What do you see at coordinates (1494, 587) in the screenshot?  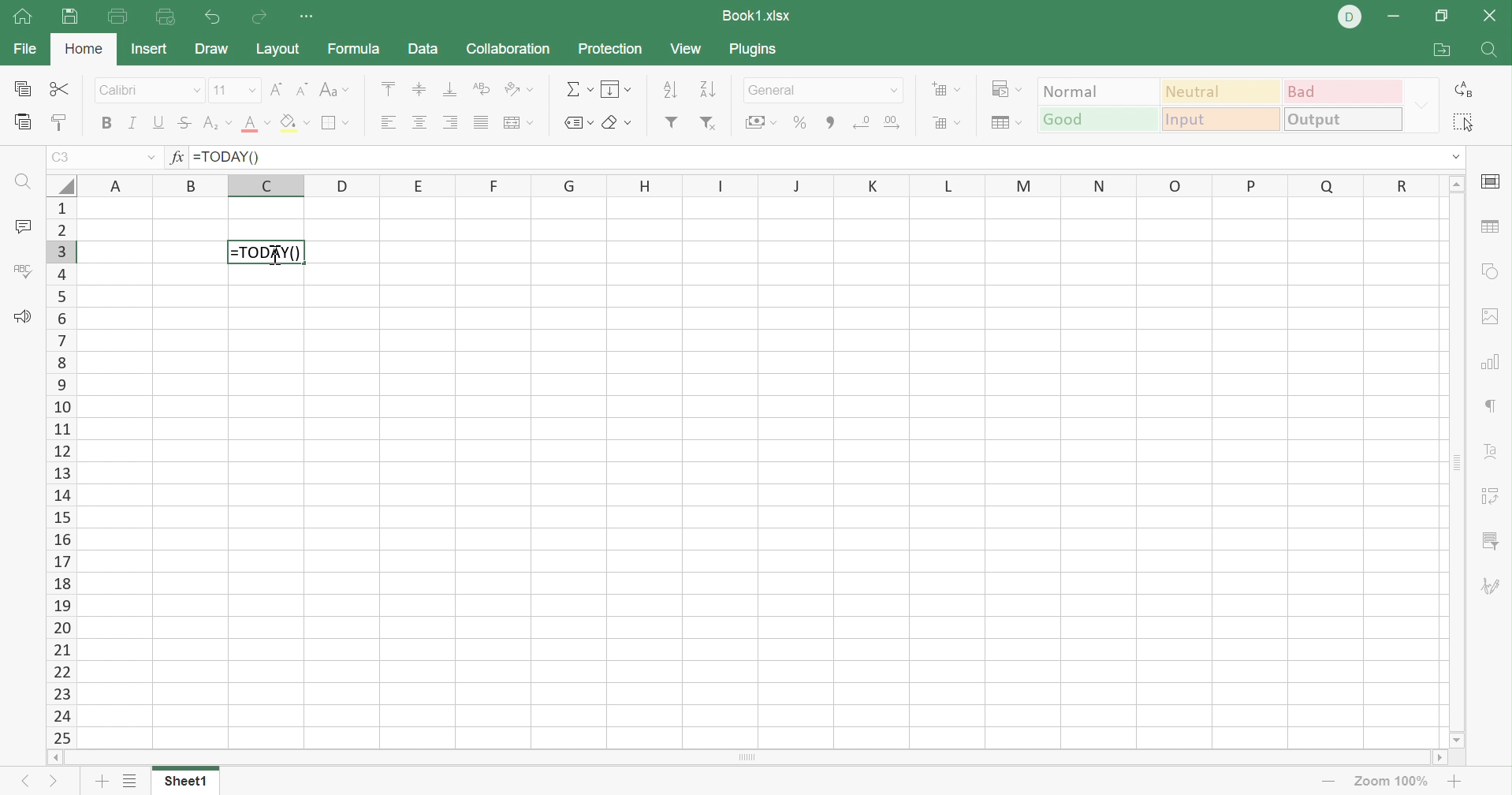 I see `Signature settings` at bounding box center [1494, 587].